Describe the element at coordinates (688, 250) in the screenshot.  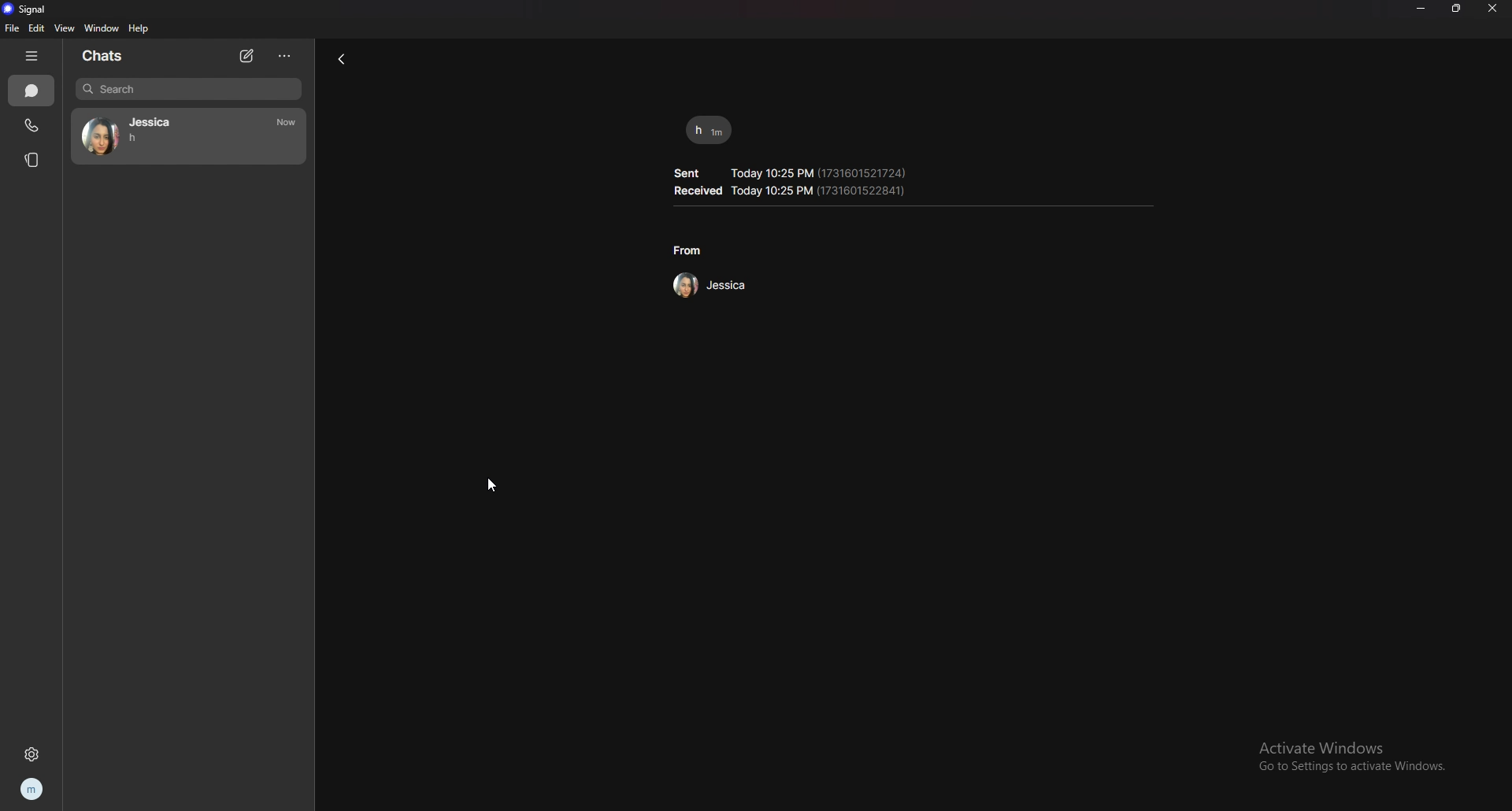
I see `from` at that location.